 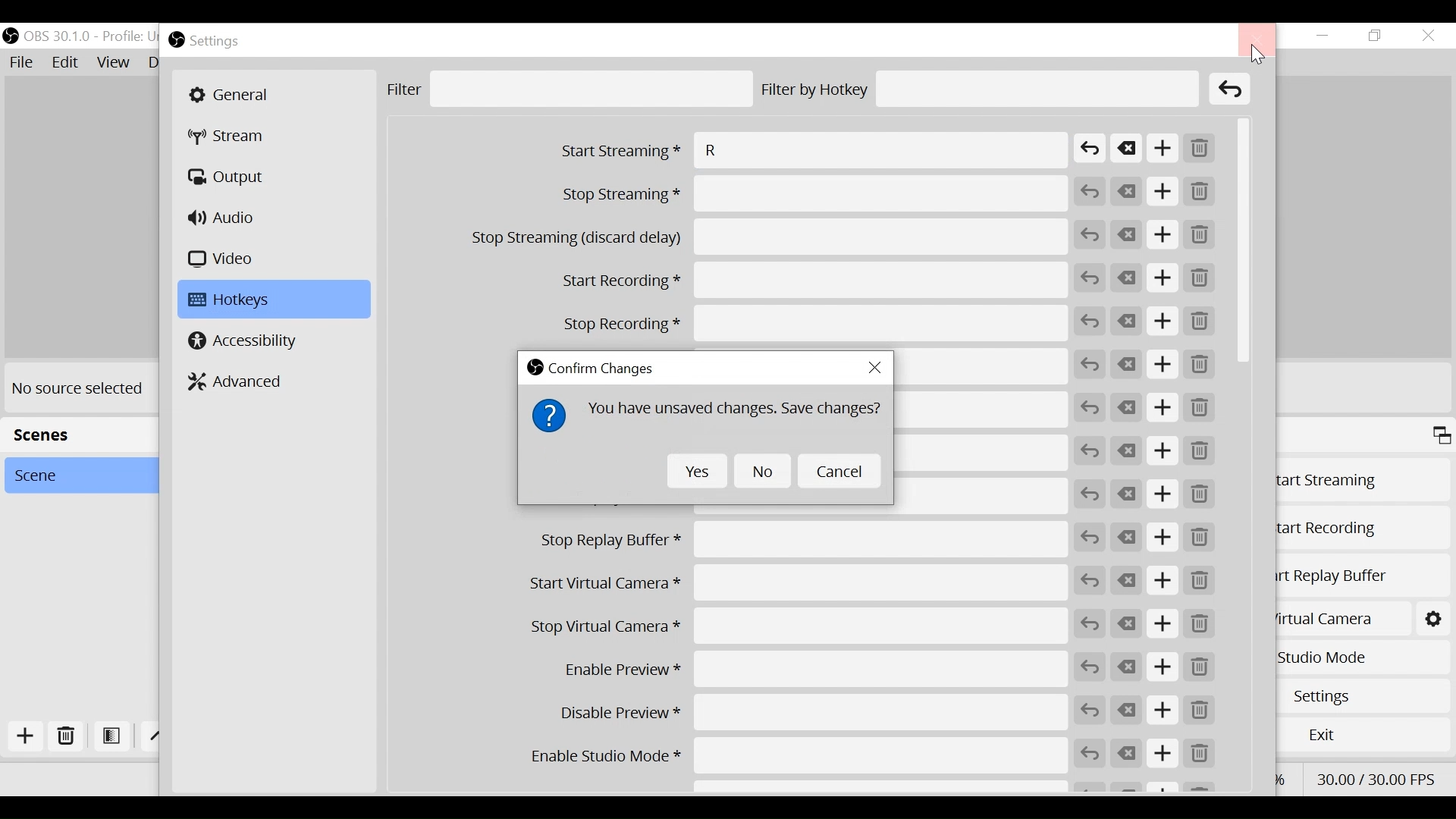 I want to click on Clear, so click(x=1126, y=667).